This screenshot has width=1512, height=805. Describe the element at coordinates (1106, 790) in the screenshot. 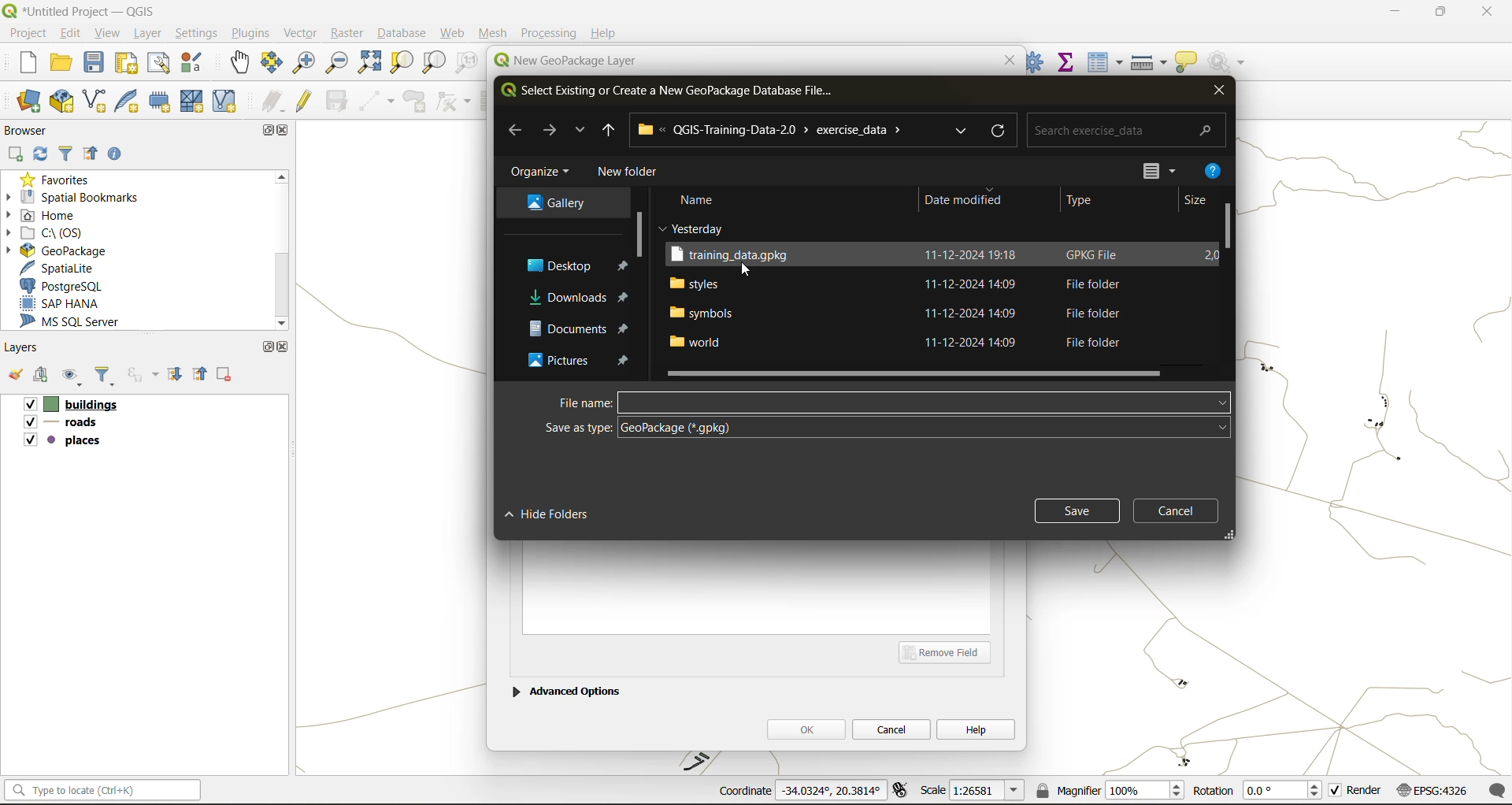

I see `magnifier(100%)` at that location.